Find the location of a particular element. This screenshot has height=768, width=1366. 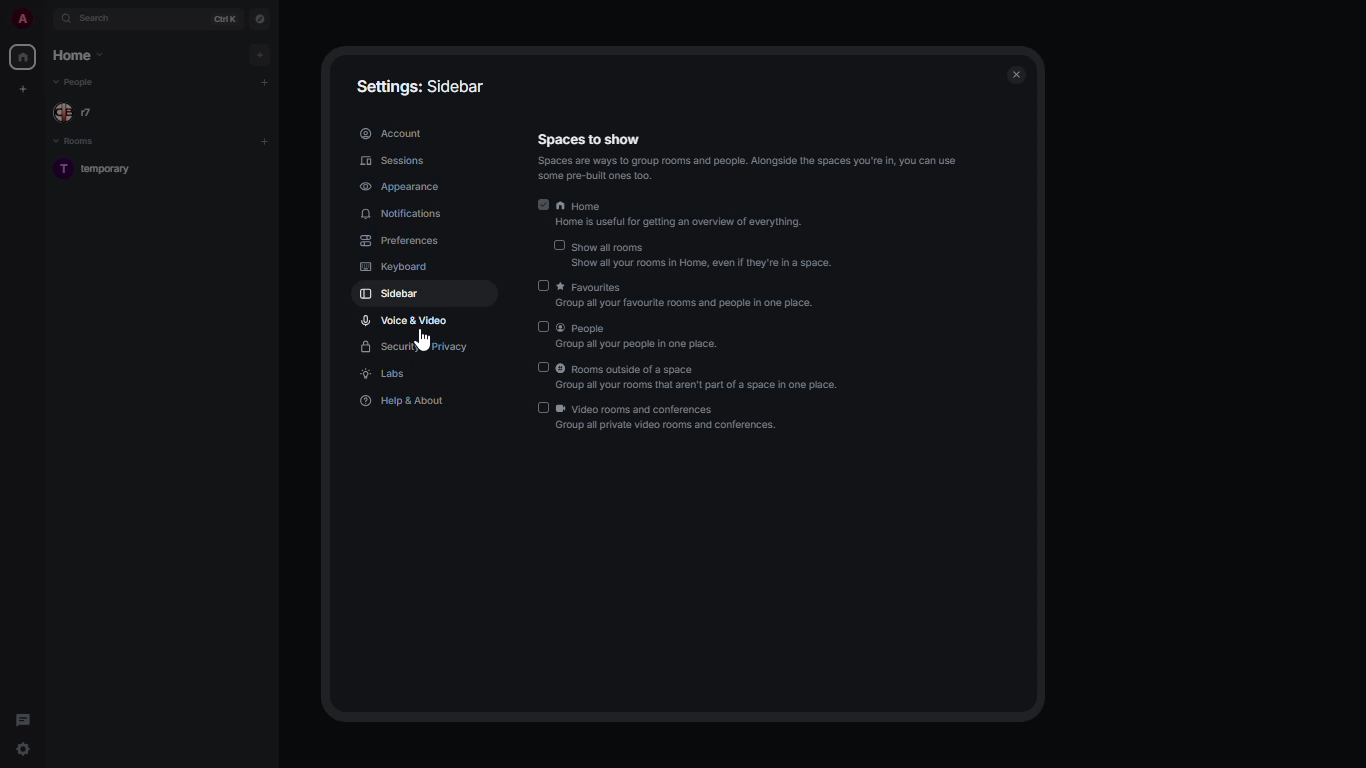

account is located at coordinates (392, 132).